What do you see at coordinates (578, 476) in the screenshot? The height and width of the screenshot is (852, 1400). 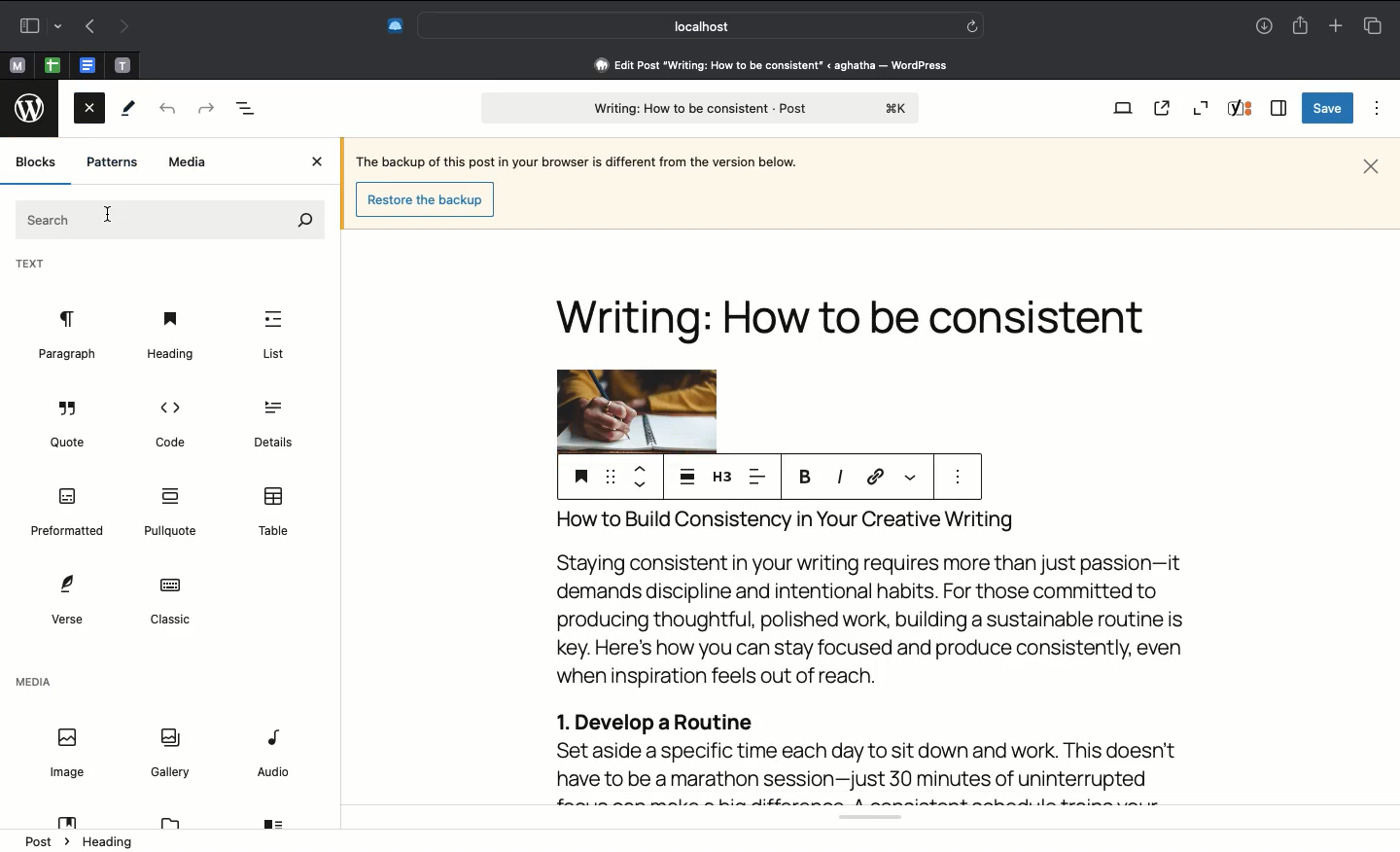 I see `Save` at bounding box center [578, 476].